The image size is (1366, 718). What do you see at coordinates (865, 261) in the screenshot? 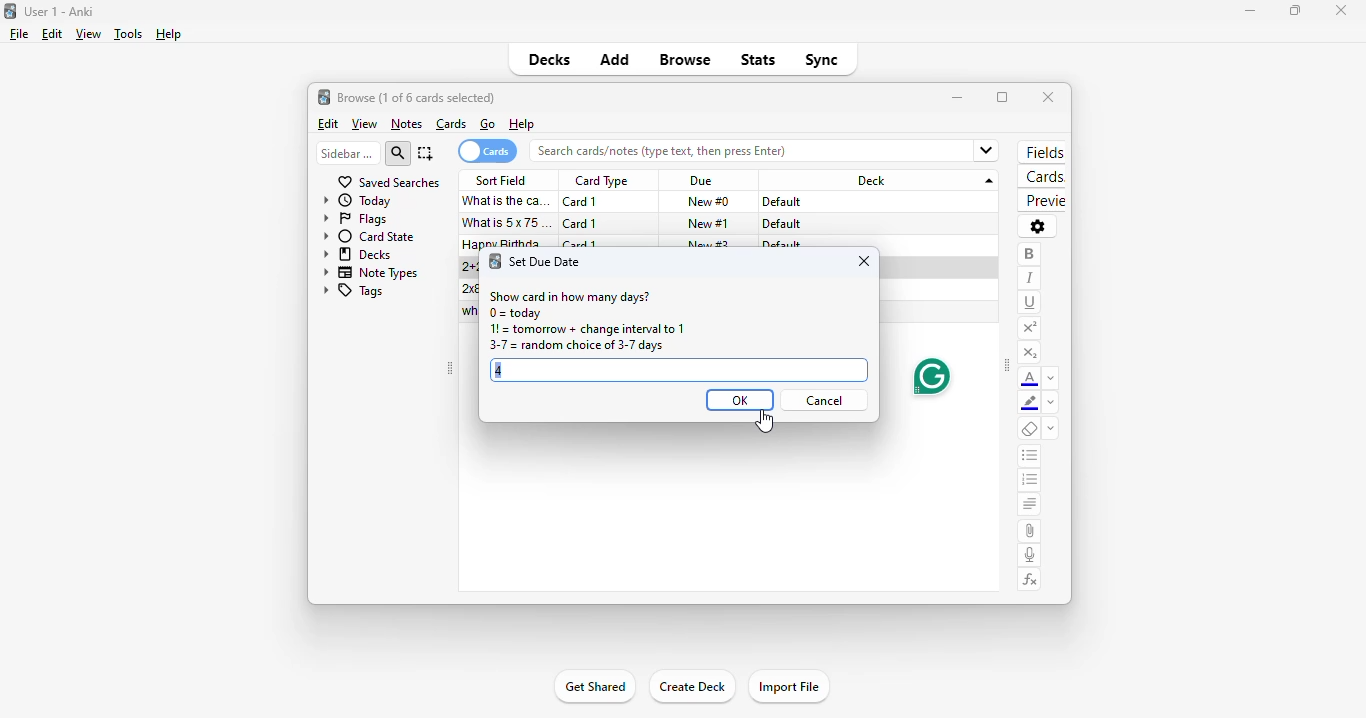
I see `close` at bounding box center [865, 261].